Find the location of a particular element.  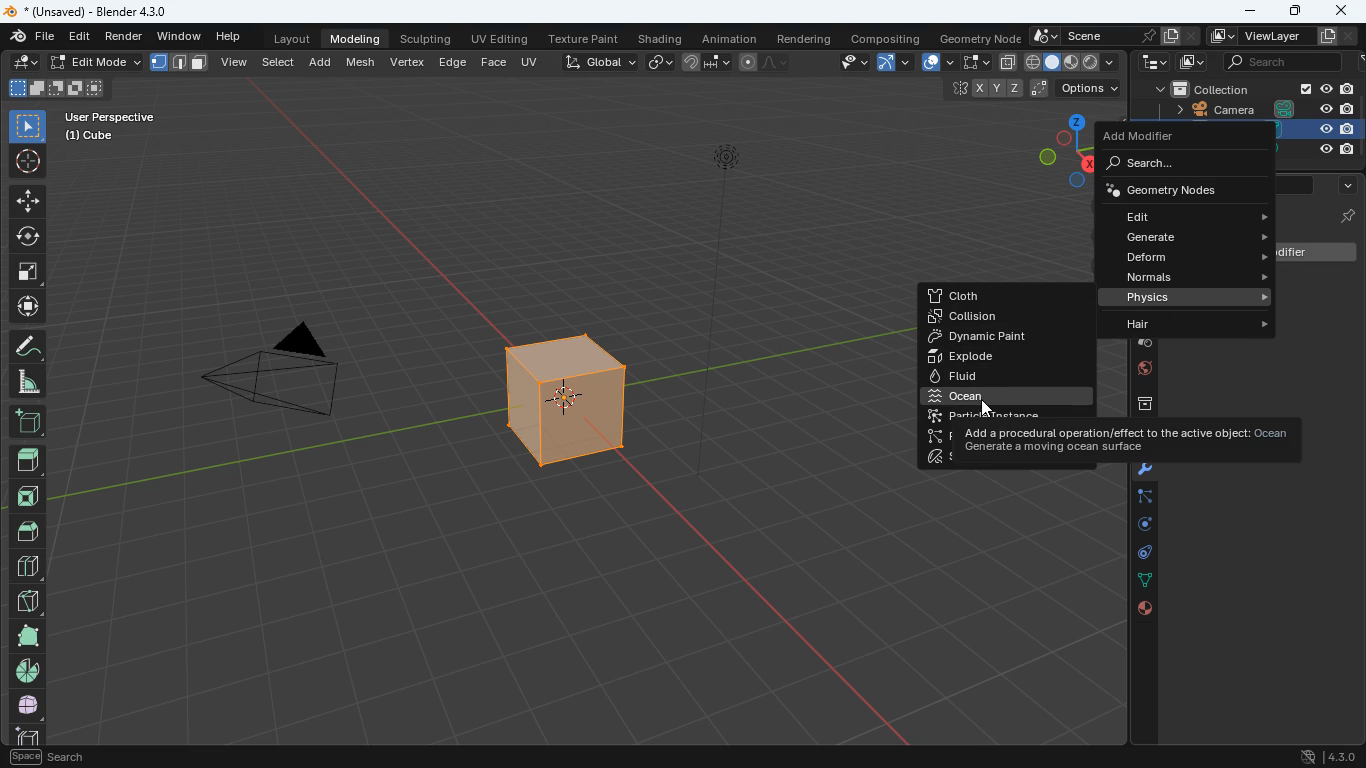

normals is located at coordinates (1203, 278).